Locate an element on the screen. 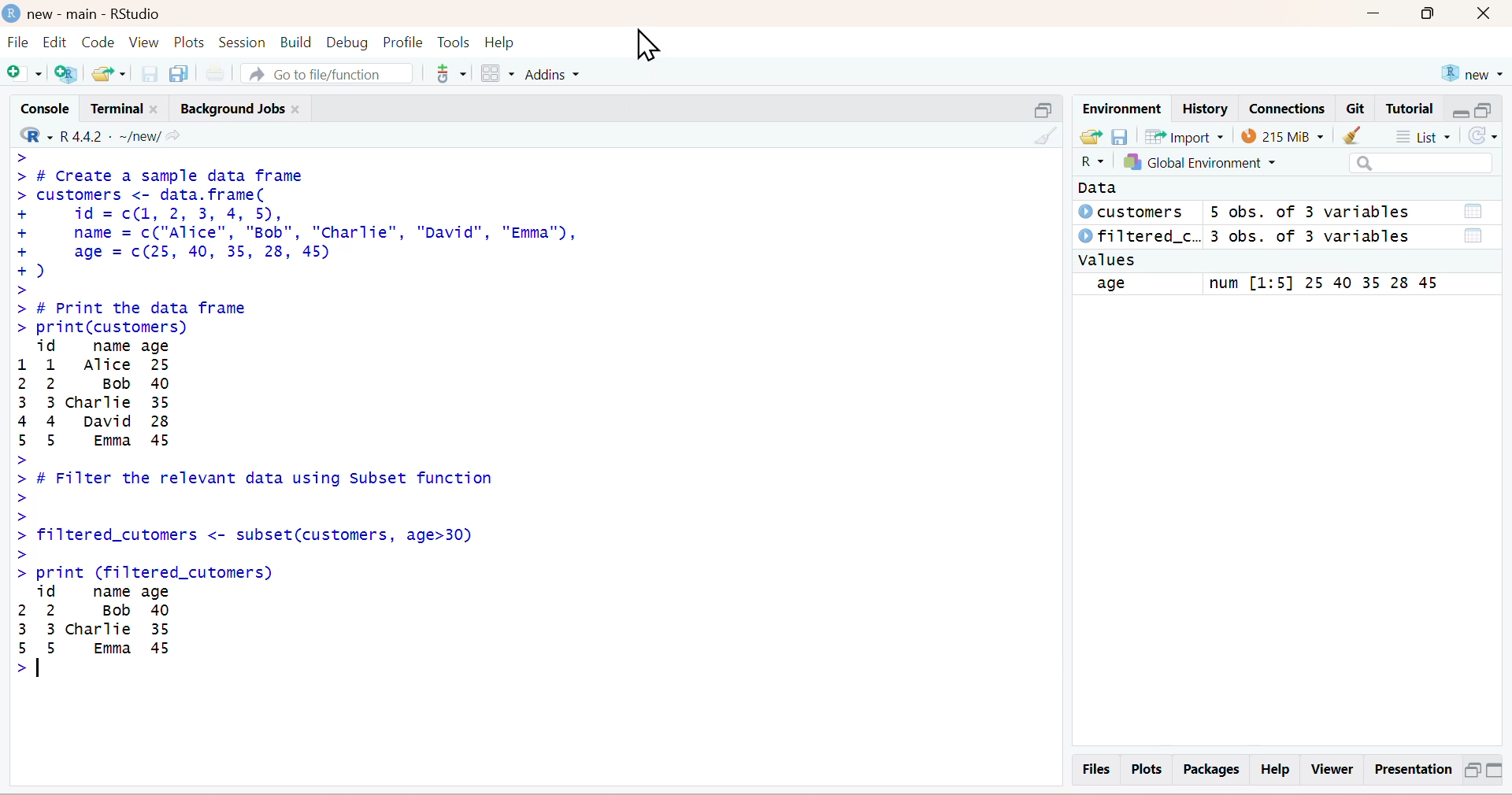  minimise is located at coordinates (1459, 109).